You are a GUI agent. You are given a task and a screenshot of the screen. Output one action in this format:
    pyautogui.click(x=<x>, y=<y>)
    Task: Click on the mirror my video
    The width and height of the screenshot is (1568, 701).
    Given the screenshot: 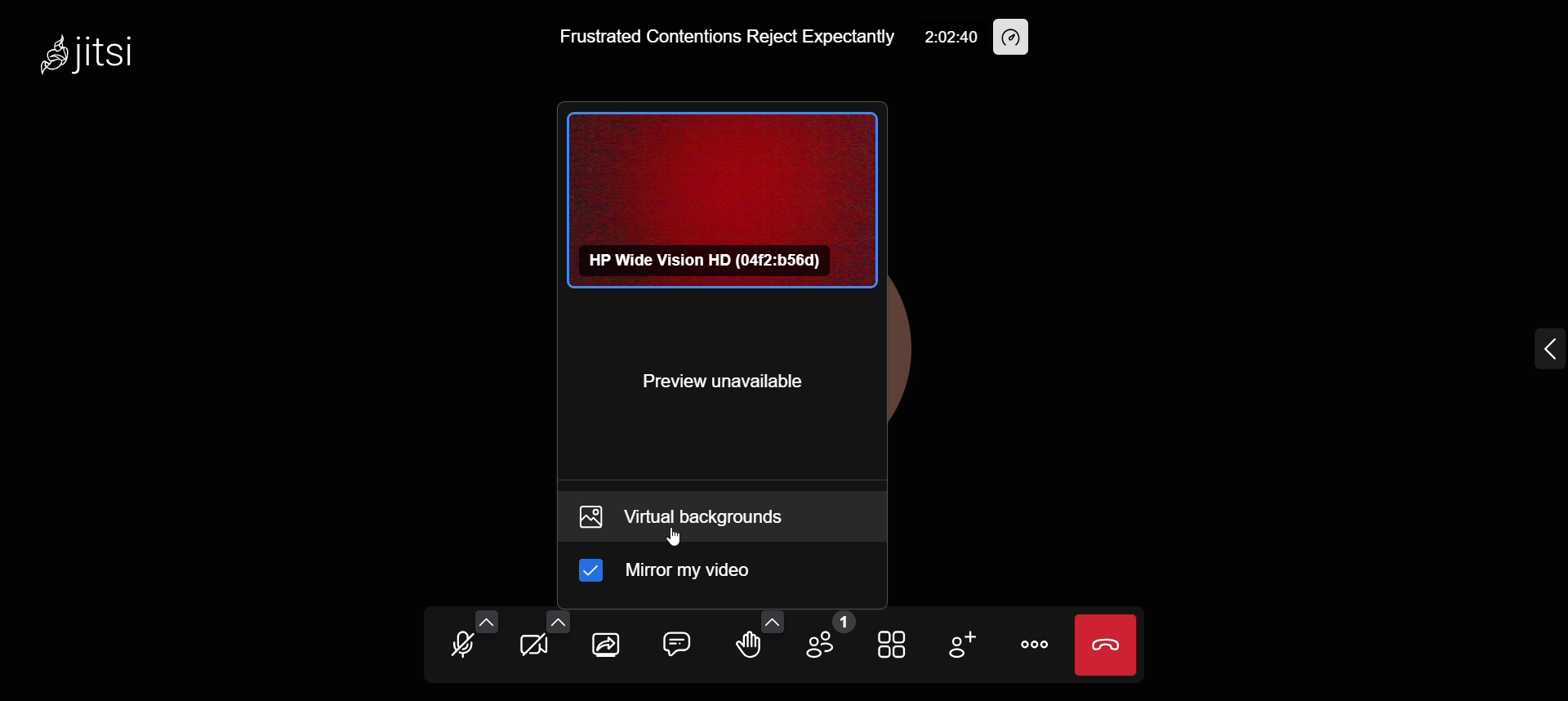 What is the action you would take?
    pyautogui.click(x=676, y=574)
    